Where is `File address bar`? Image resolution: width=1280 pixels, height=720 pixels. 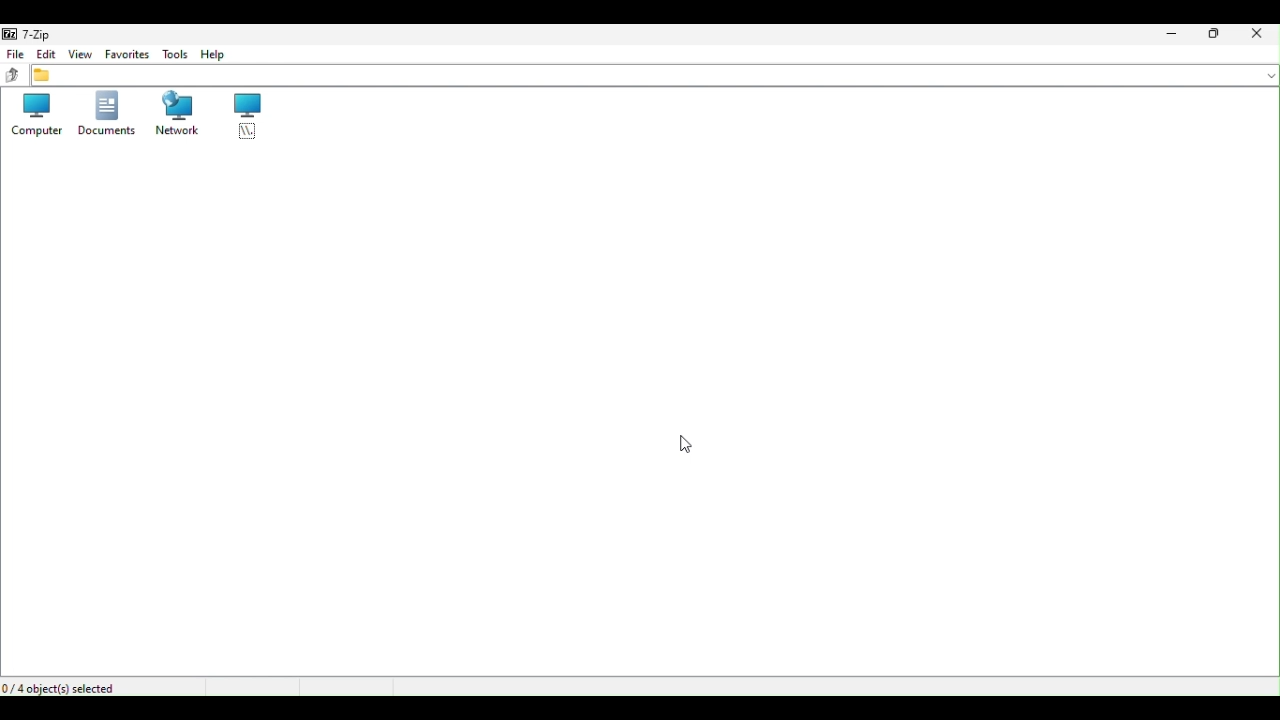
File address bar is located at coordinates (656, 77).